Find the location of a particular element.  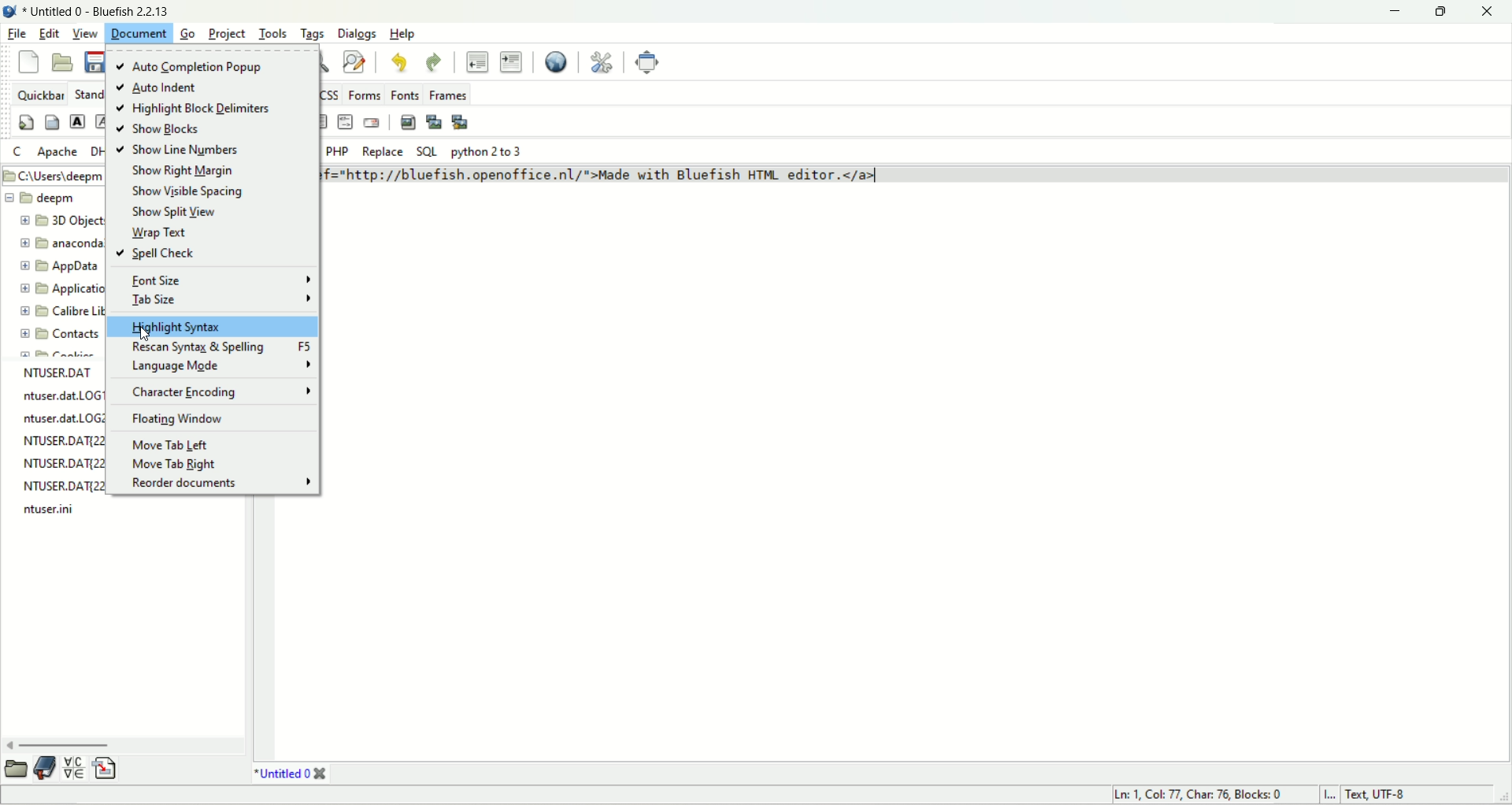

help is located at coordinates (404, 34).